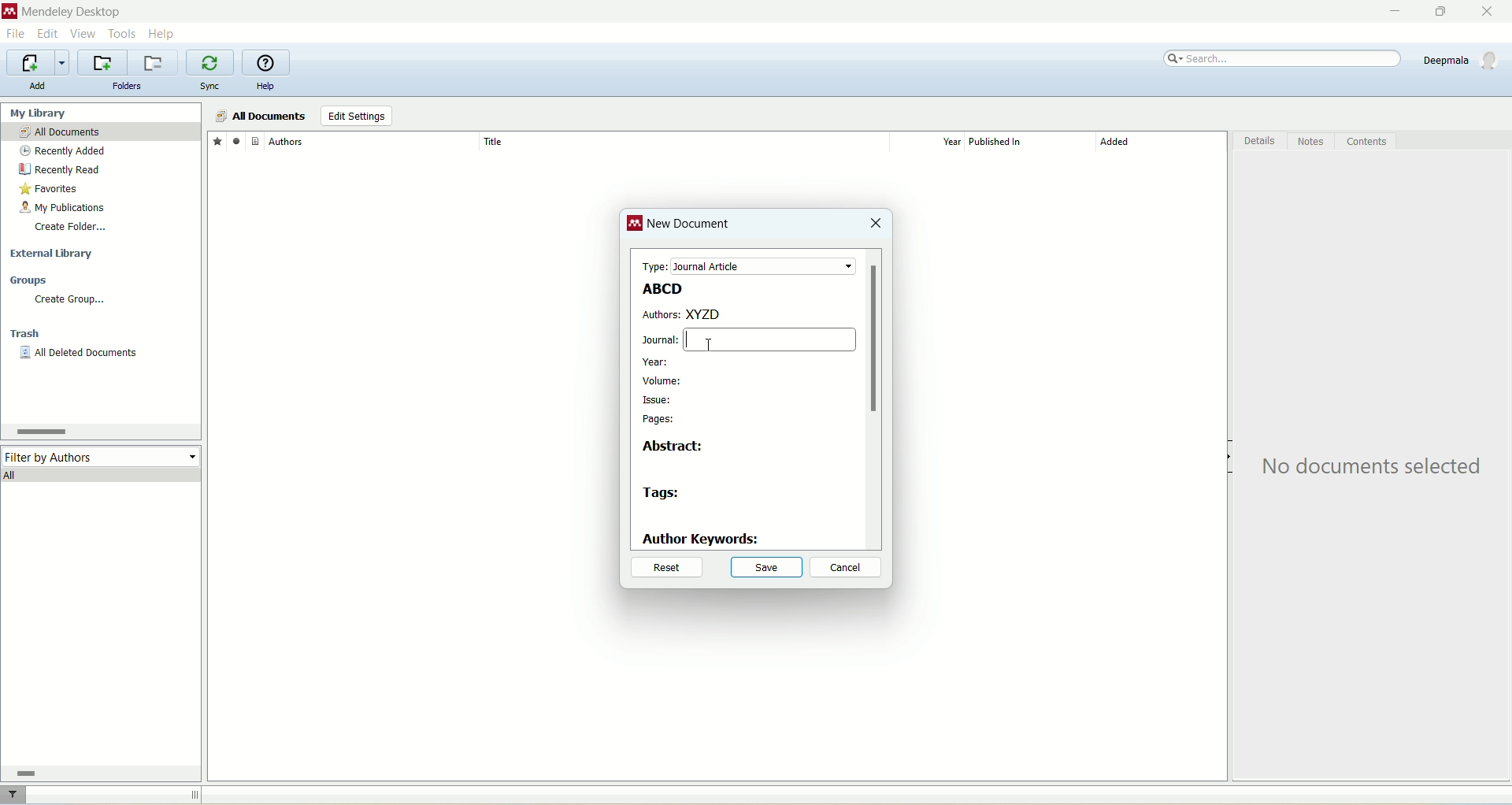 Image resolution: width=1512 pixels, height=805 pixels. Describe the element at coordinates (30, 281) in the screenshot. I see `groups` at that location.